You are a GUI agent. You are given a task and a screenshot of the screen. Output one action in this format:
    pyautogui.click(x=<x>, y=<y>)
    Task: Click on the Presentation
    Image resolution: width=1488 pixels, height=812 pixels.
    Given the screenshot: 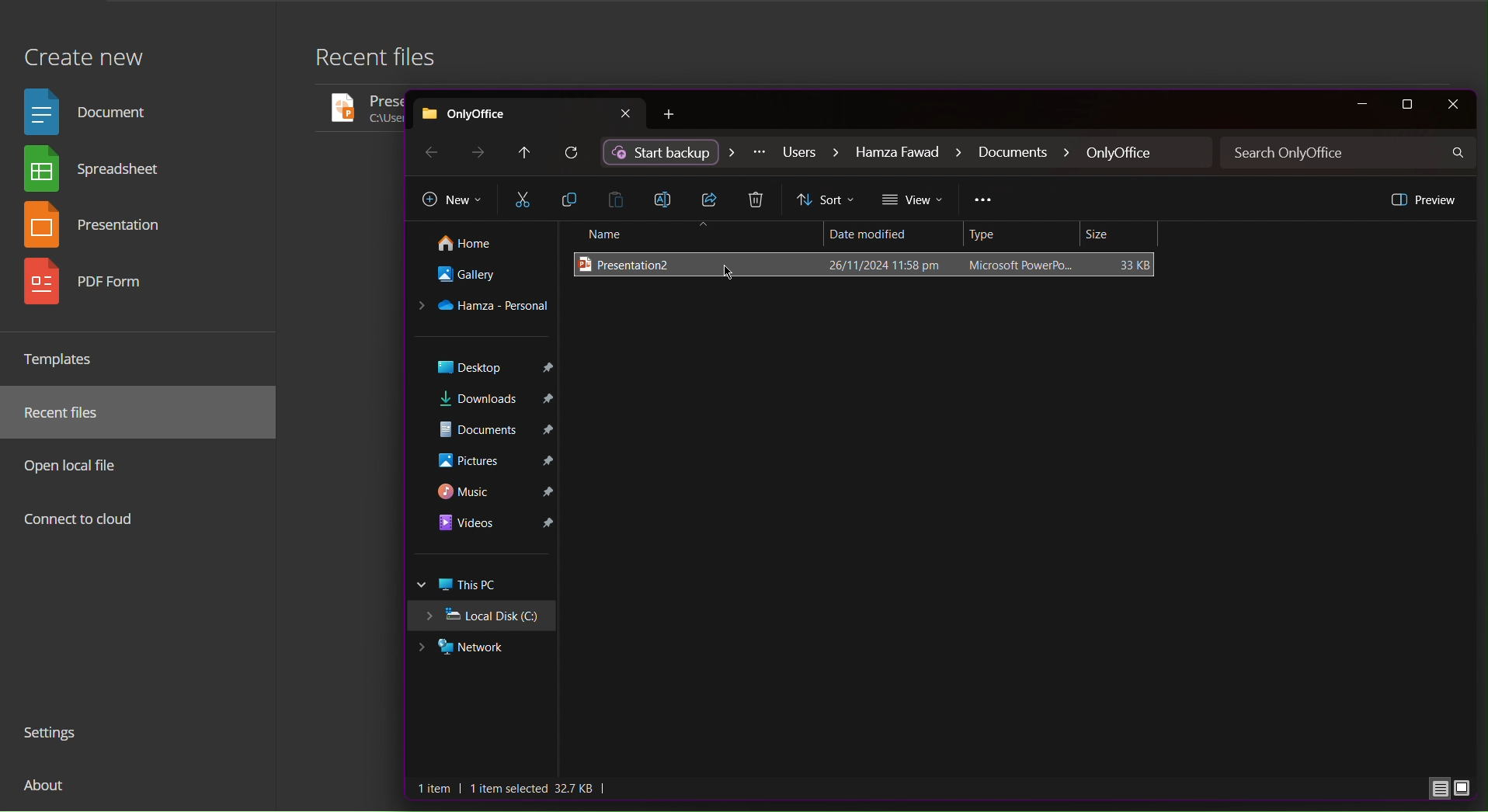 What is the action you would take?
    pyautogui.click(x=101, y=227)
    